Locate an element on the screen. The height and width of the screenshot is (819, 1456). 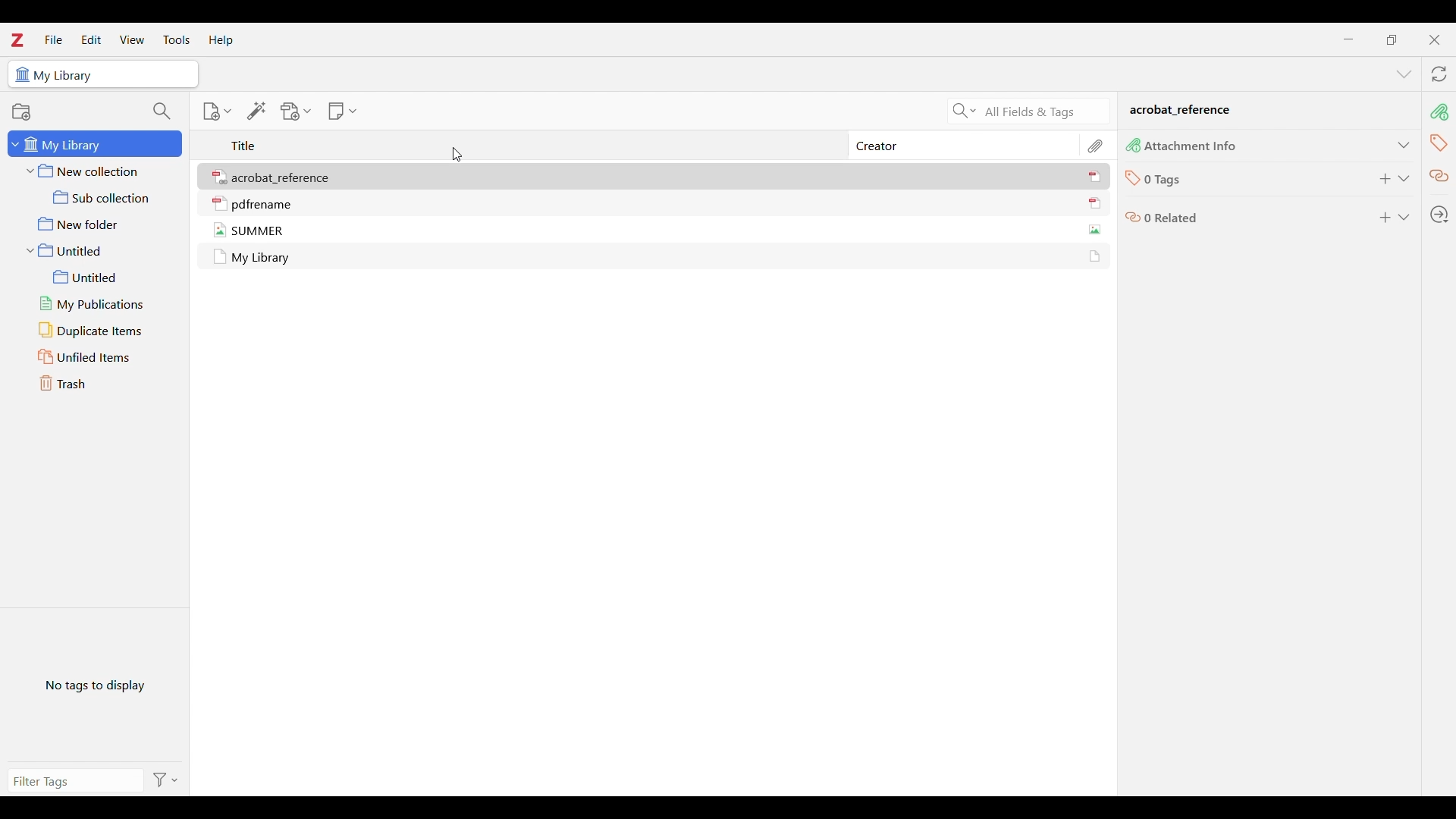
Unfiled items folder is located at coordinates (100, 357).